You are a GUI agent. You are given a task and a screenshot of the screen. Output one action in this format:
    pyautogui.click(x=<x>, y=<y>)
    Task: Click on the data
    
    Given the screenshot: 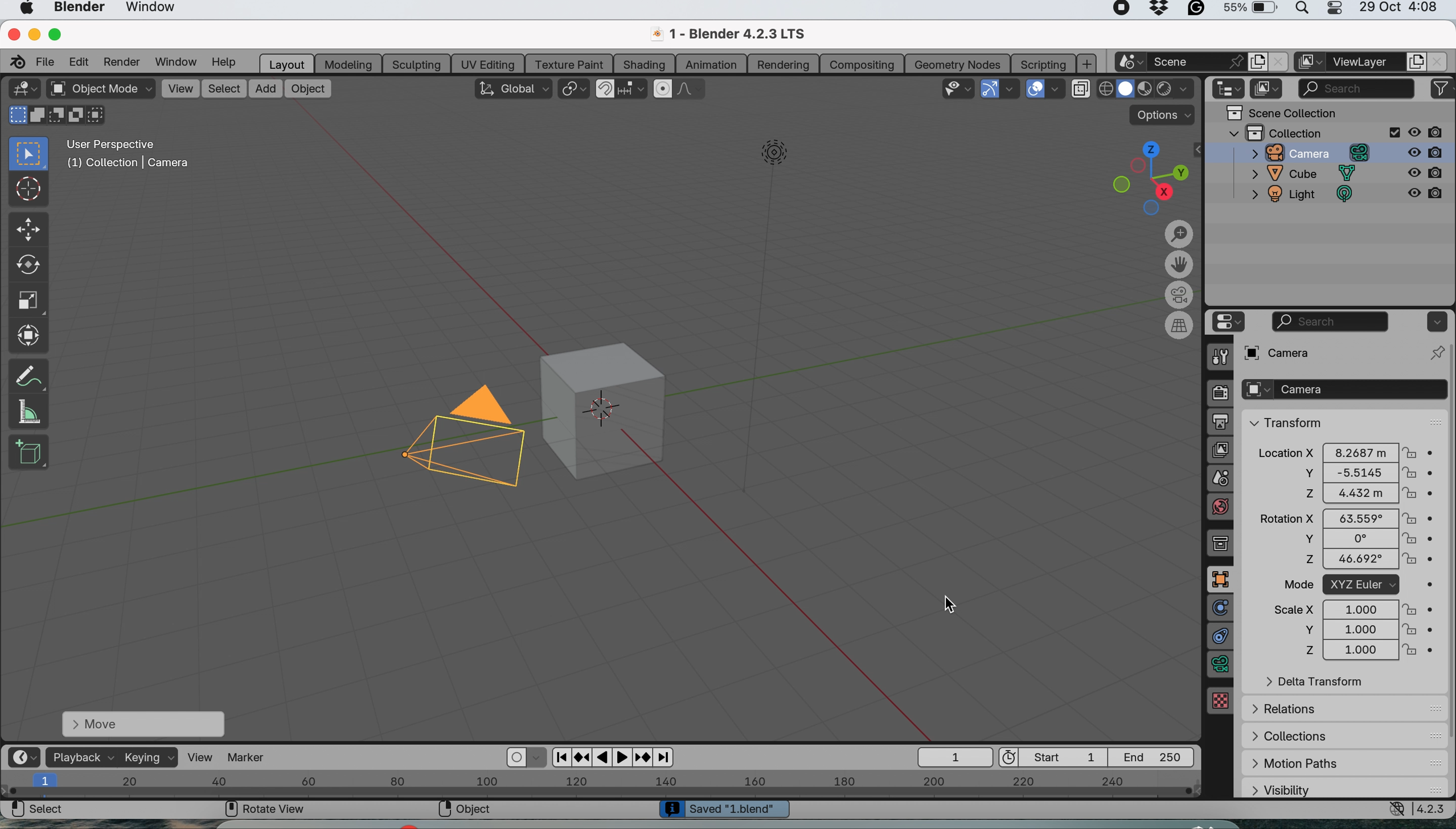 What is the action you would take?
    pyautogui.click(x=1217, y=666)
    